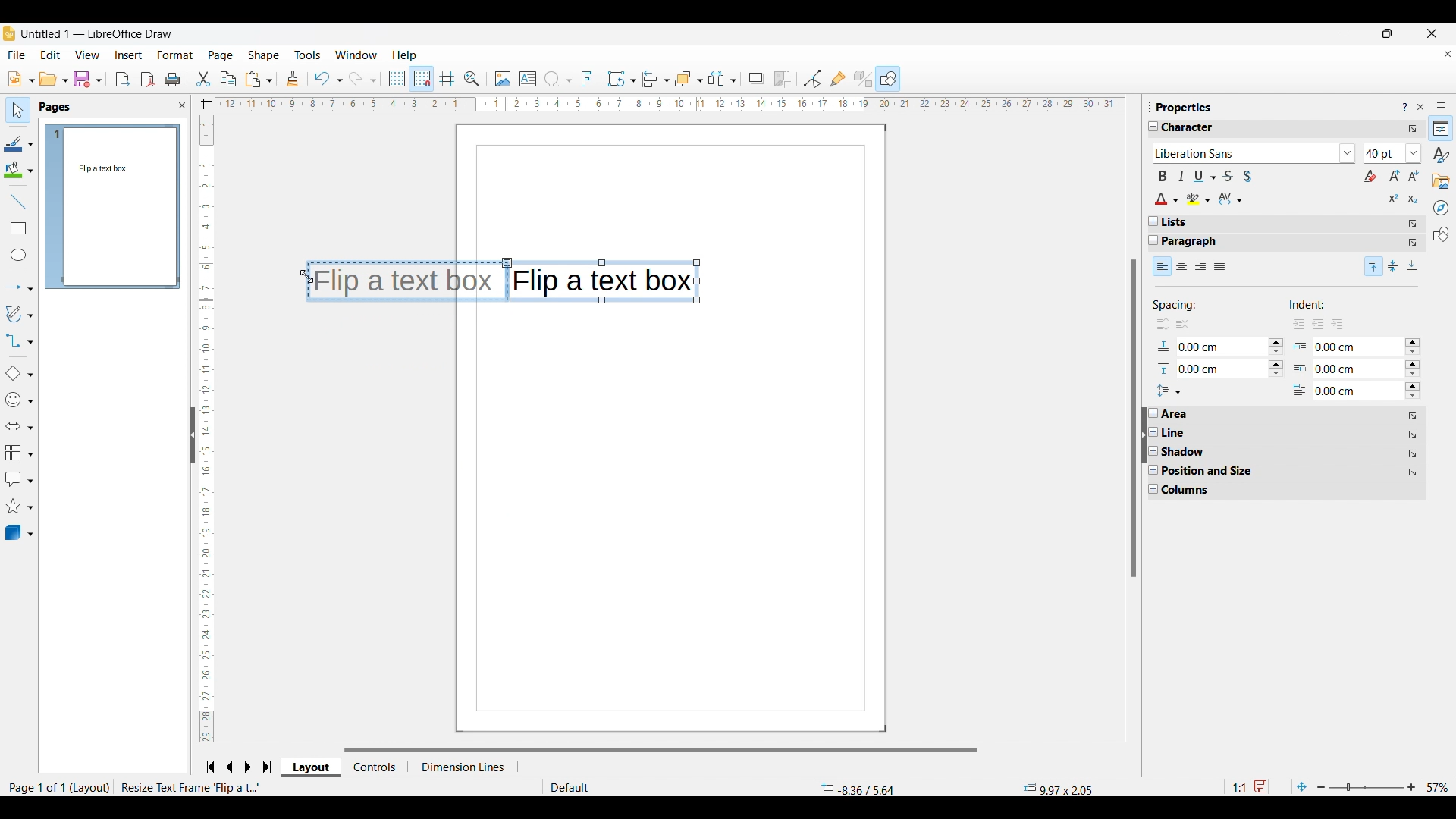  What do you see at coordinates (19, 479) in the screenshot?
I see `Callout shape options` at bounding box center [19, 479].